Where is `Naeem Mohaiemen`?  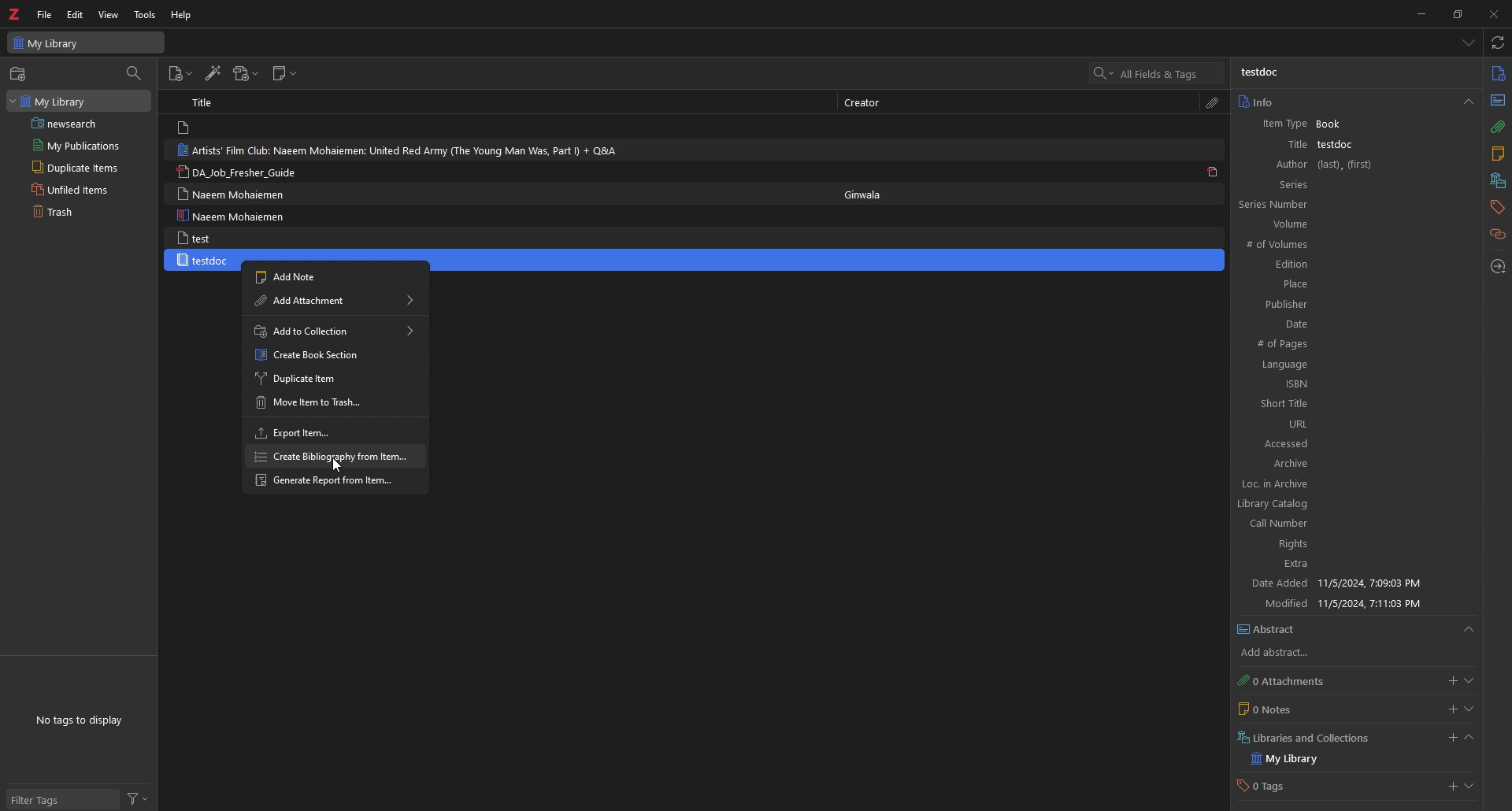 Naeem Mohaiemen is located at coordinates (235, 216).